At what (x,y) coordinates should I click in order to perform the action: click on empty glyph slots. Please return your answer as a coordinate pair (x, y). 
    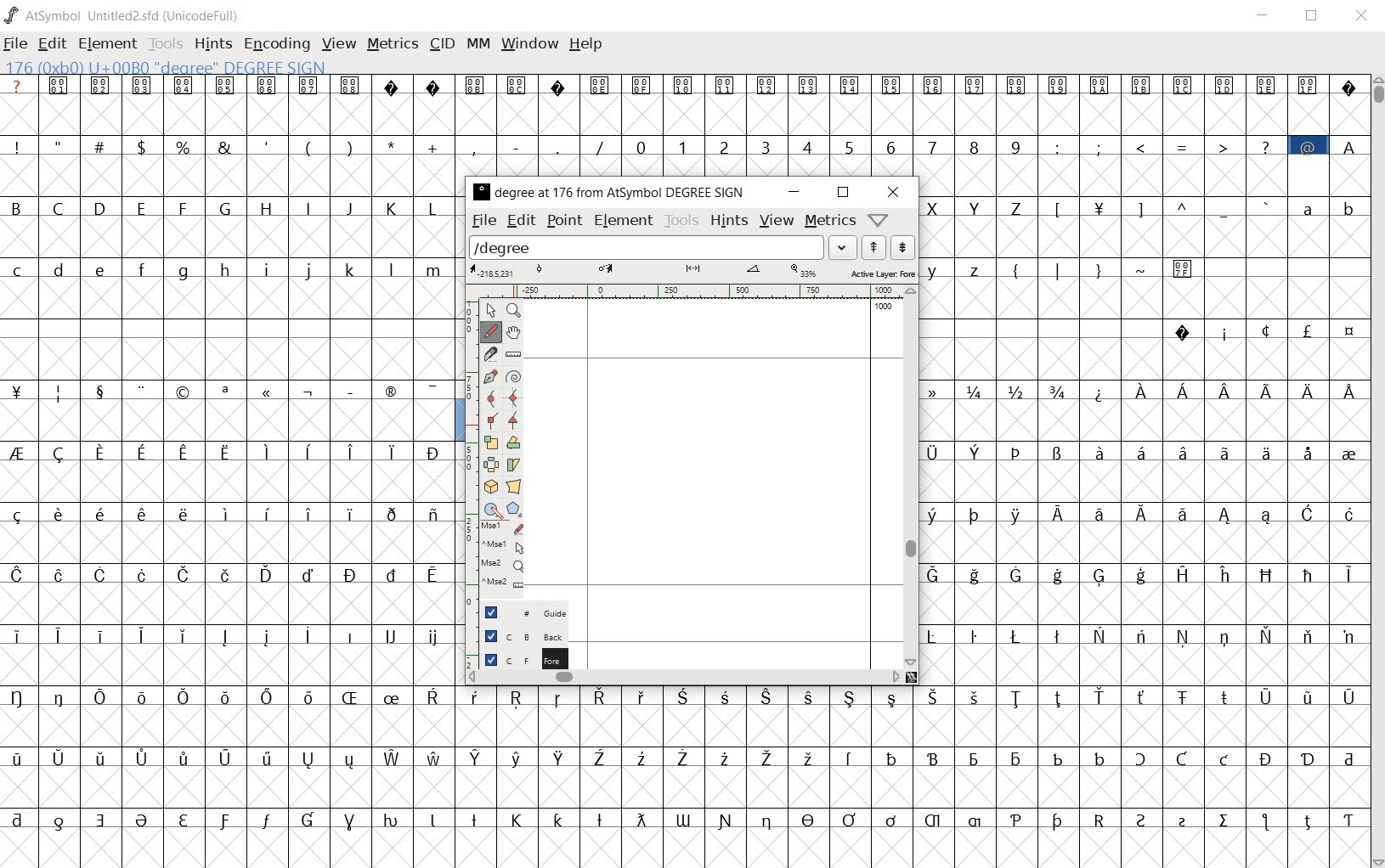
    Looking at the image, I should click on (232, 543).